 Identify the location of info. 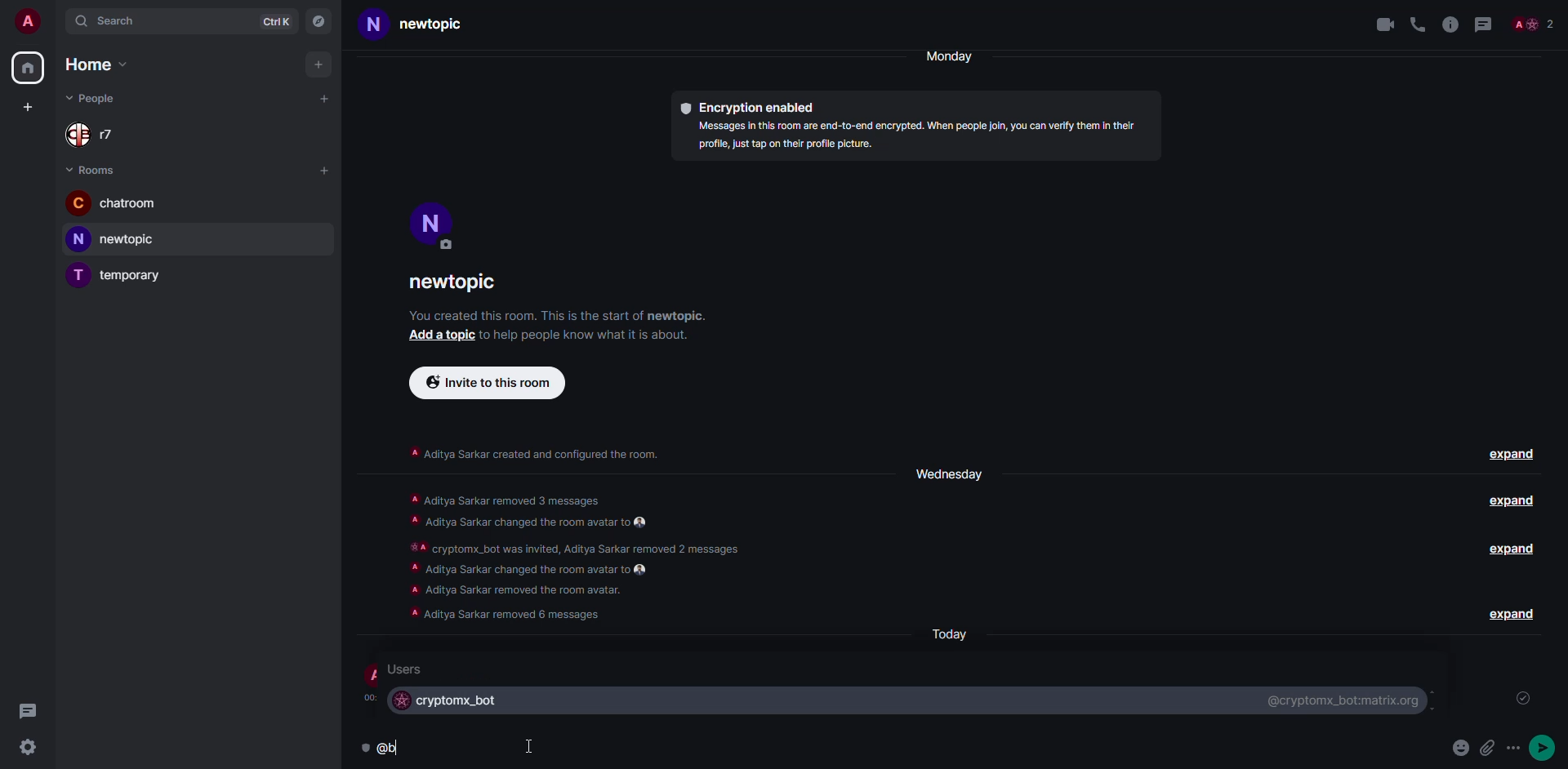
(557, 315).